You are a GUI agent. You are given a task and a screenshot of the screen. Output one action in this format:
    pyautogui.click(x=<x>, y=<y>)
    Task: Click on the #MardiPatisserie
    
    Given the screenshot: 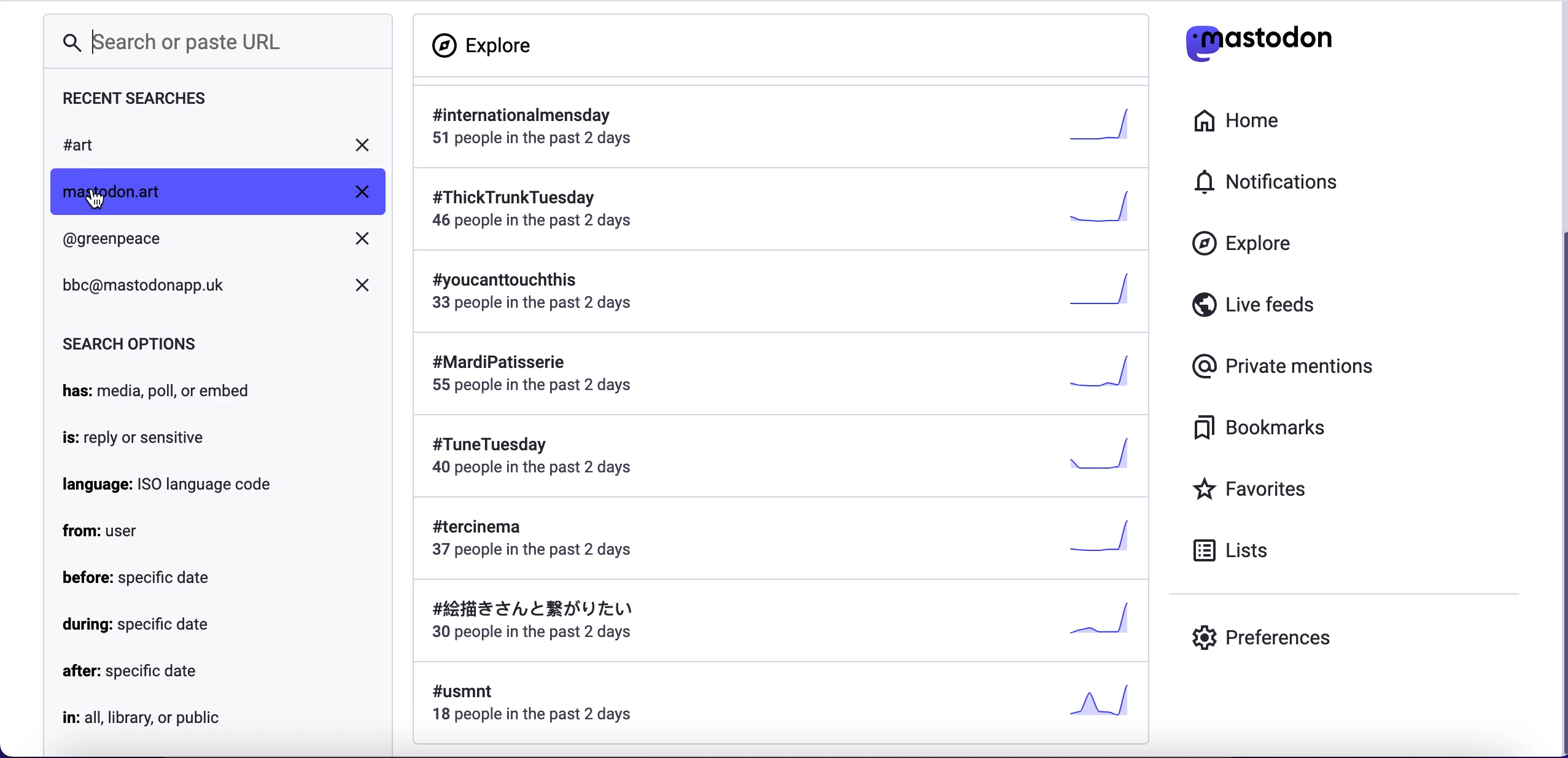 What is the action you would take?
    pyautogui.click(x=774, y=374)
    